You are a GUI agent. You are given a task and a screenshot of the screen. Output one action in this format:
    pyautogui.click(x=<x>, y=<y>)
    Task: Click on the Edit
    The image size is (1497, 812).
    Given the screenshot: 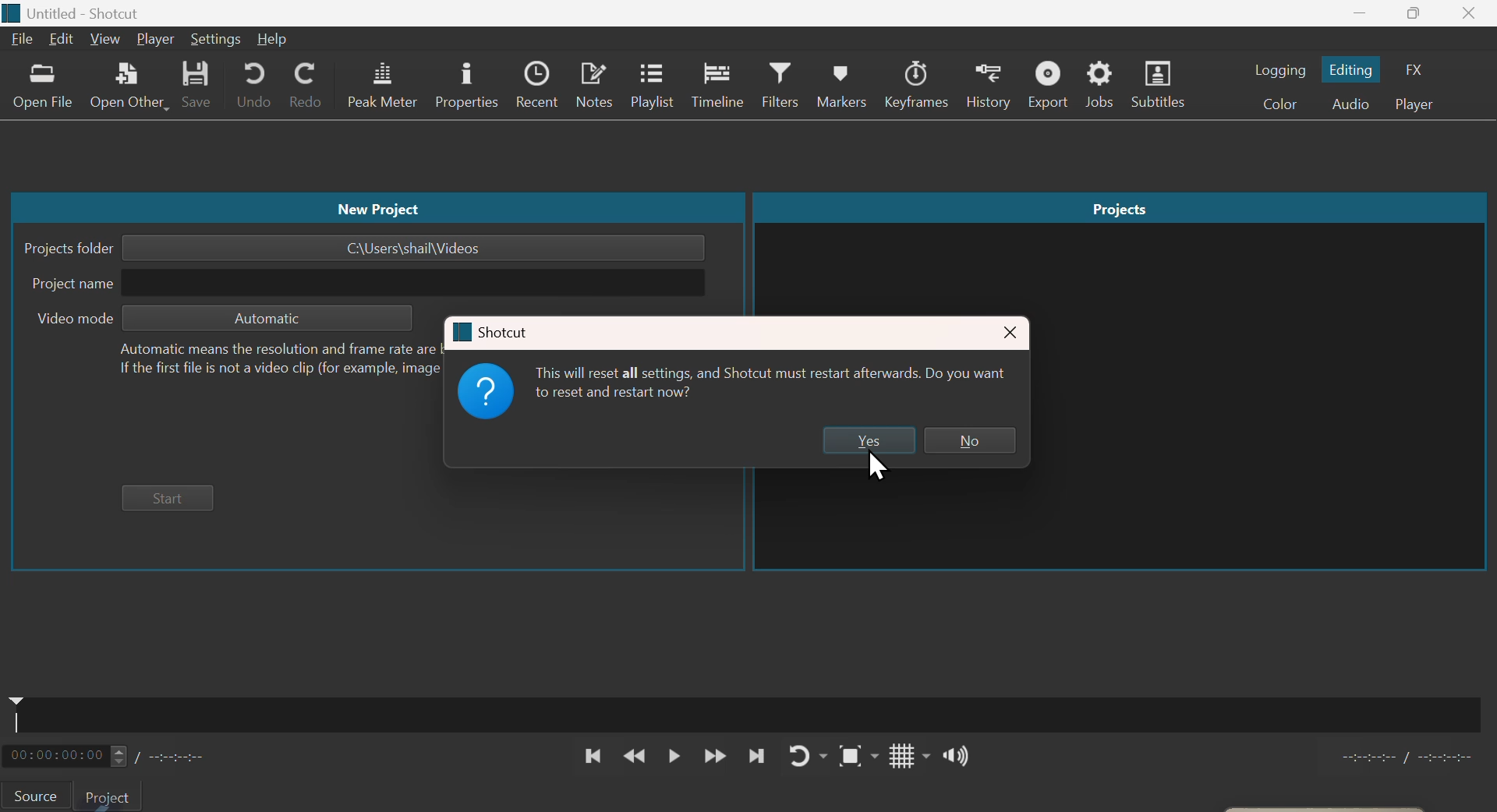 What is the action you would take?
    pyautogui.click(x=60, y=41)
    